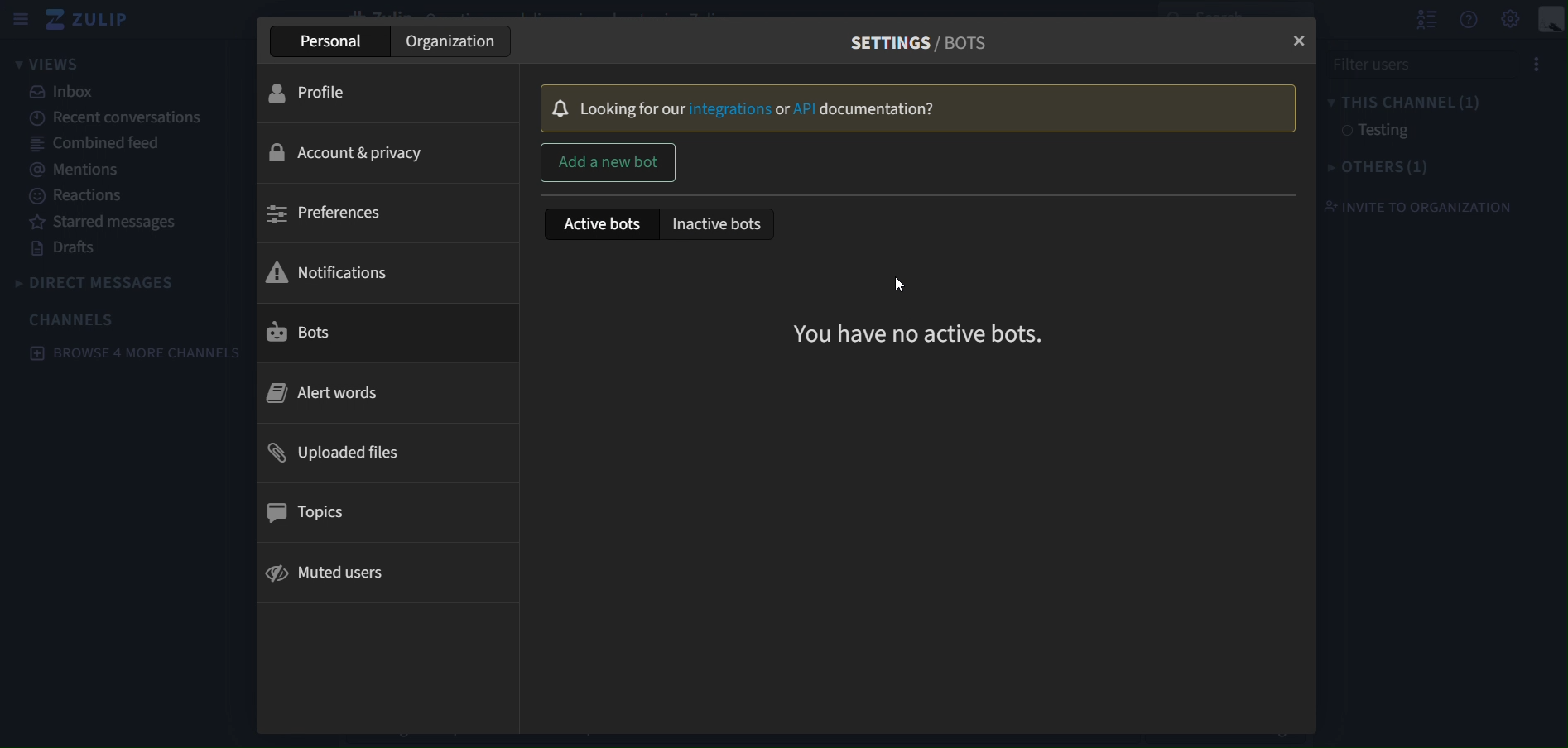  I want to click on looking for our integrations or API documentation?, so click(911, 107).